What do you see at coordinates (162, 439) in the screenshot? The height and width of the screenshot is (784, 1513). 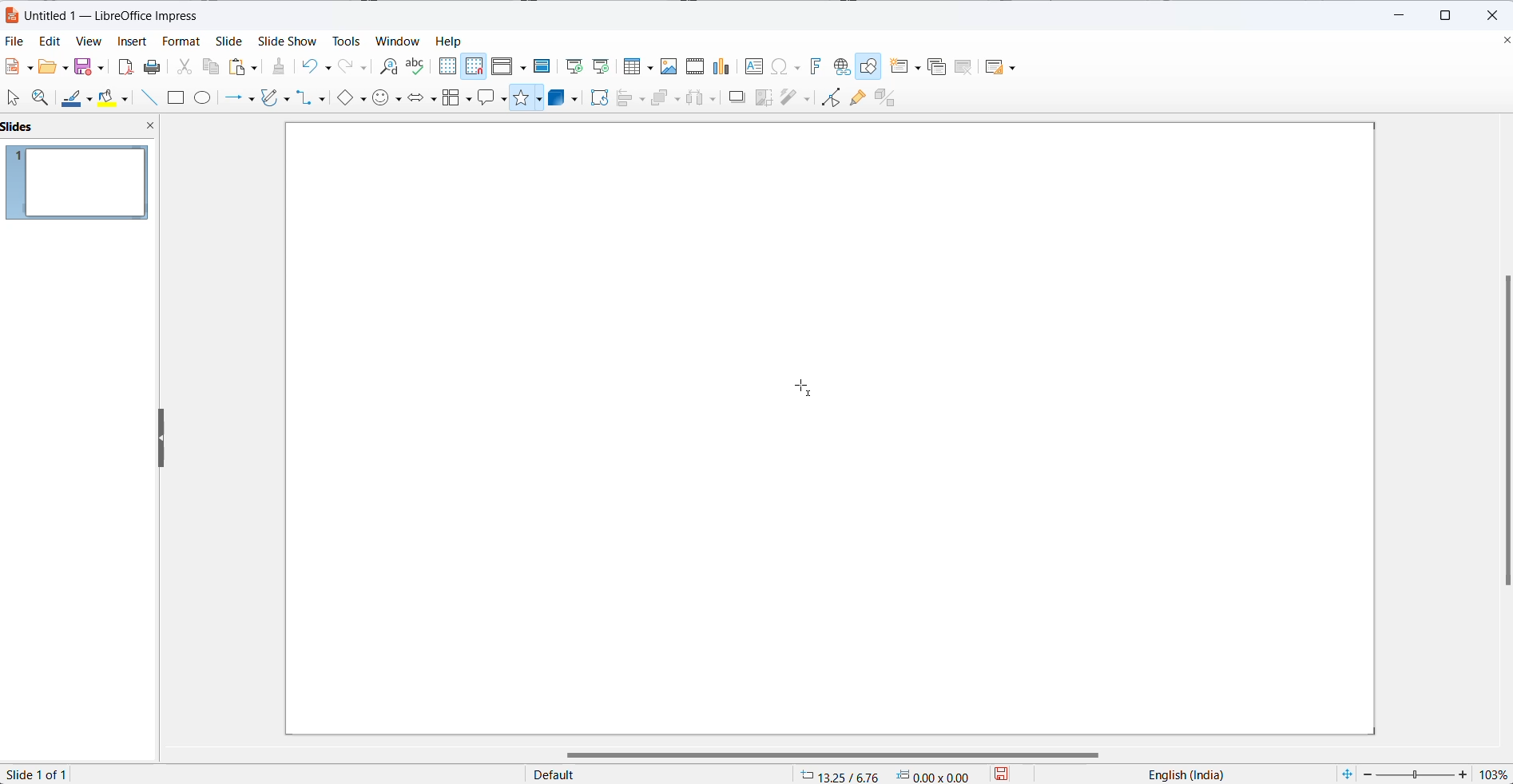 I see `resize` at bounding box center [162, 439].